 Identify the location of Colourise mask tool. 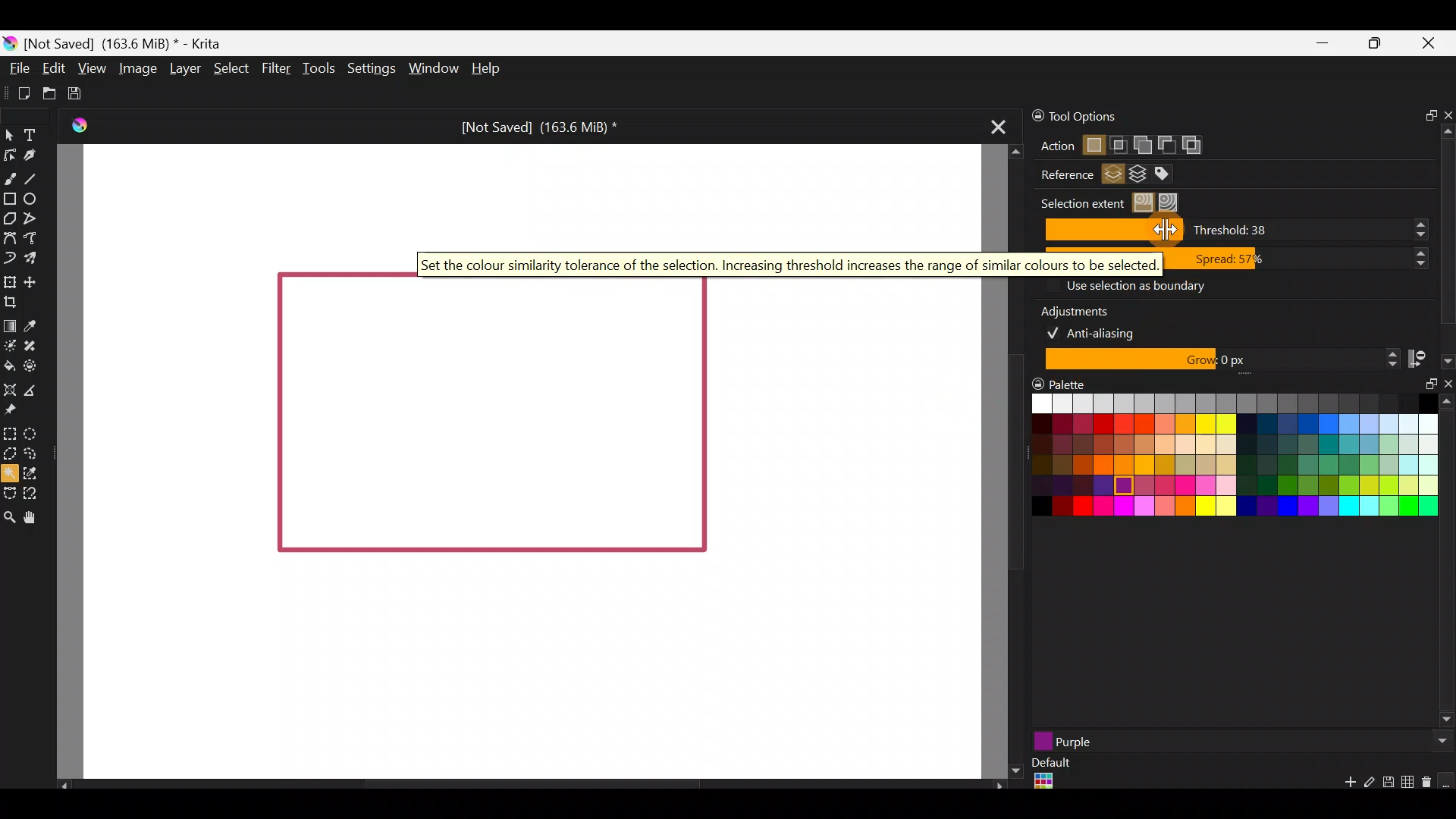
(10, 347).